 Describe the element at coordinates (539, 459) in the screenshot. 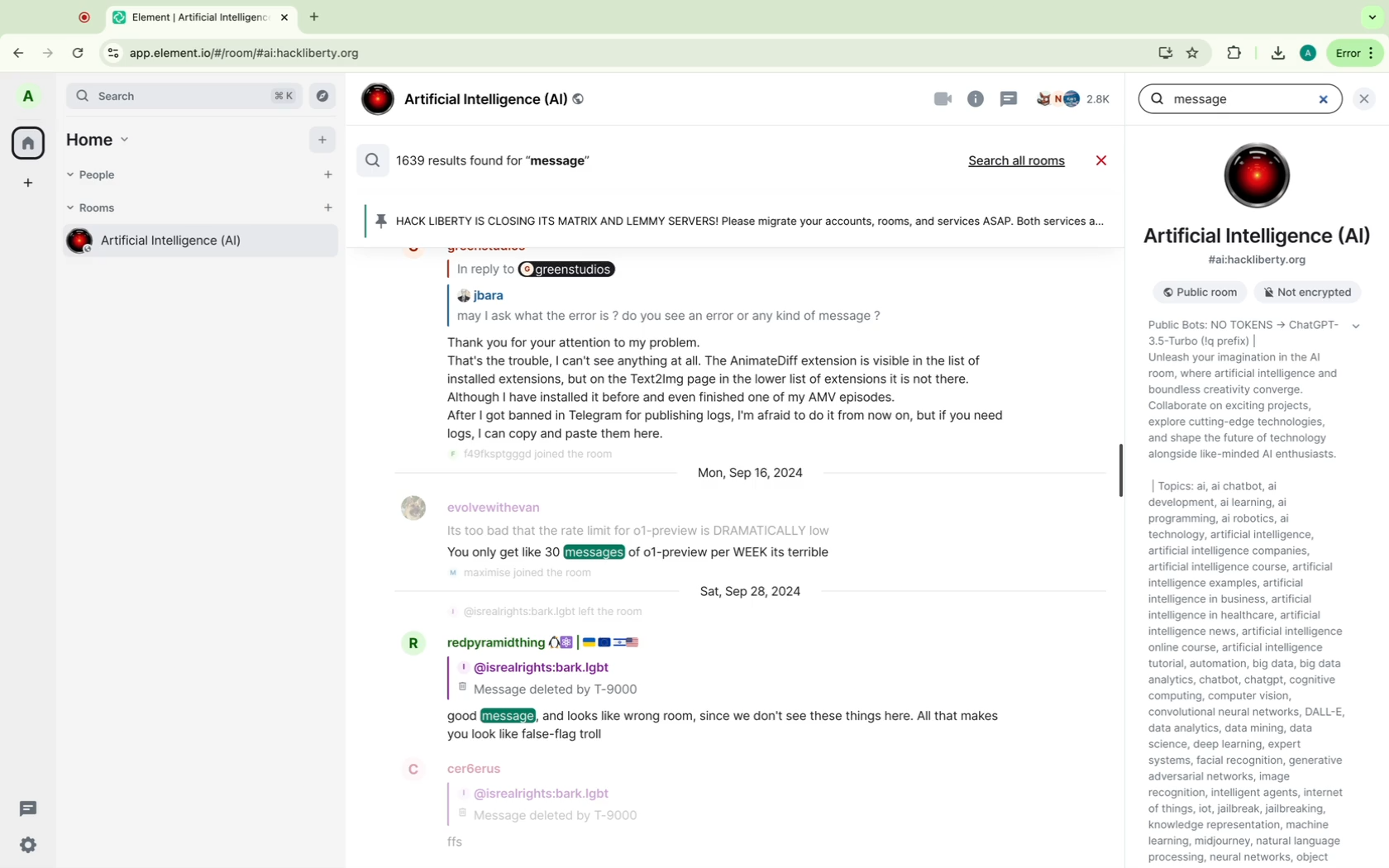

I see `room join` at that location.